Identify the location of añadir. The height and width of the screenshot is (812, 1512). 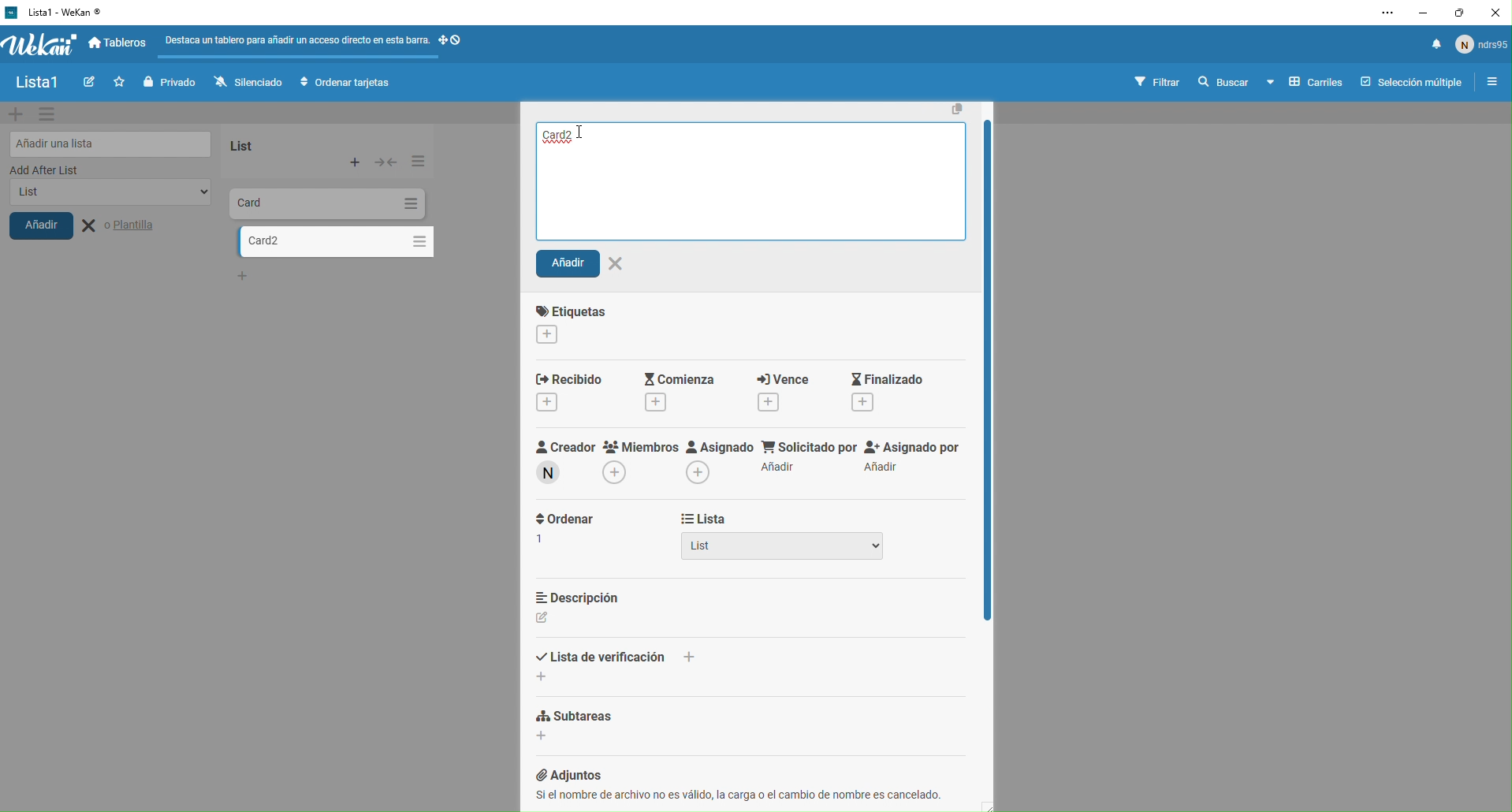
(54, 230).